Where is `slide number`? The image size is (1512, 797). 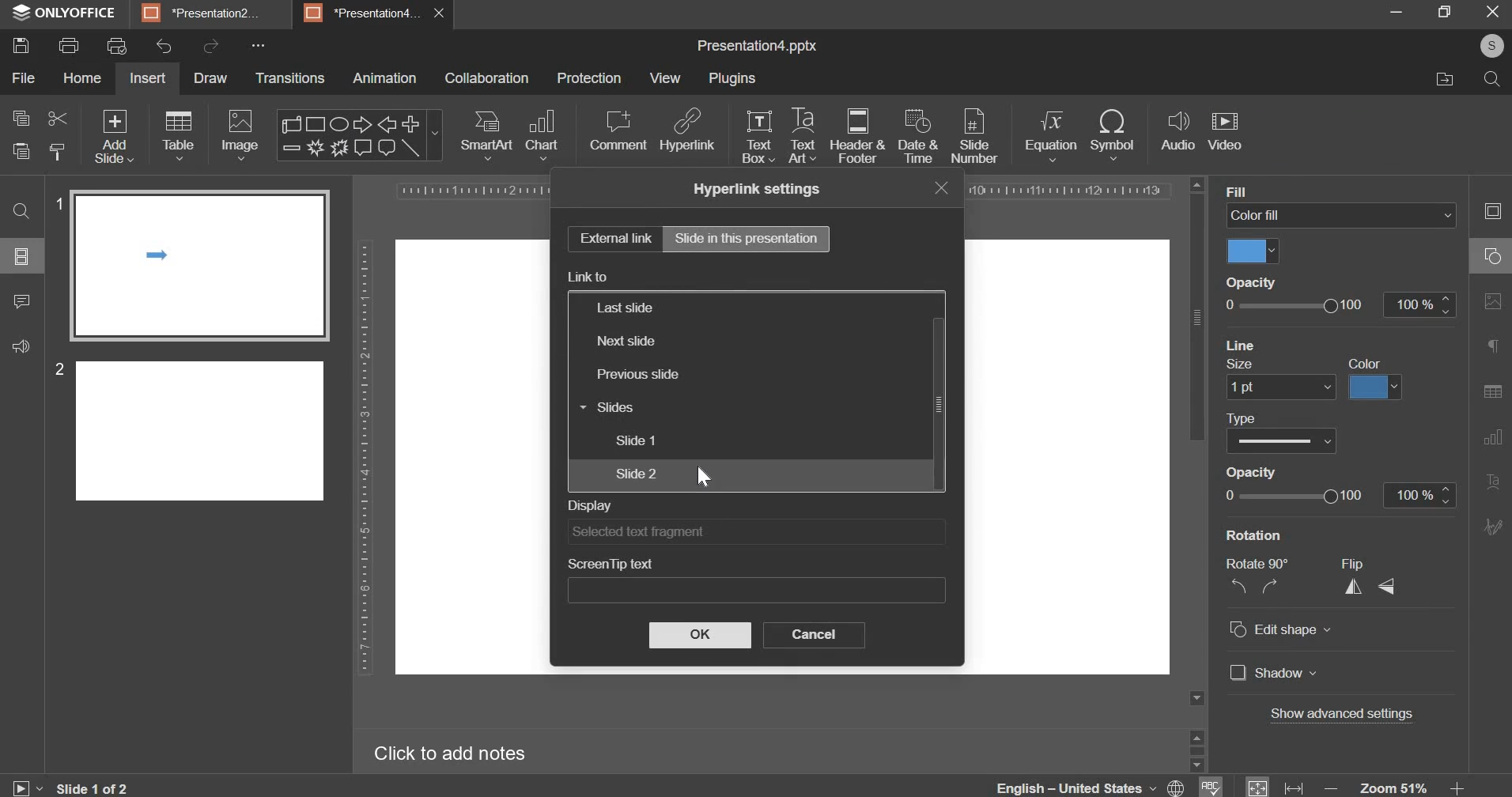
slide number is located at coordinates (974, 138).